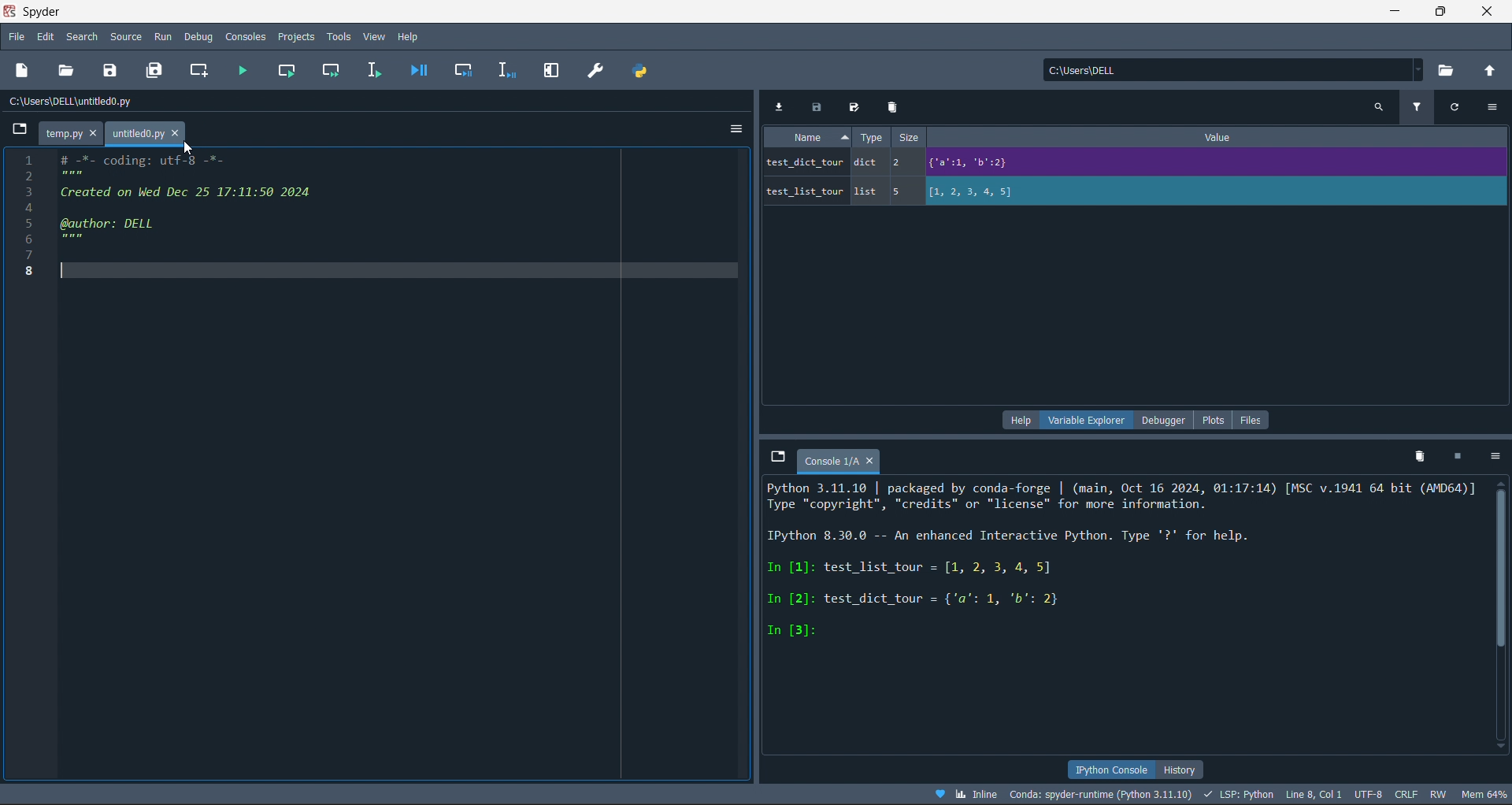  What do you see at coordinates (47, 11) in the screenshot?
I see `Spyder` at bounding box center [47, 11].